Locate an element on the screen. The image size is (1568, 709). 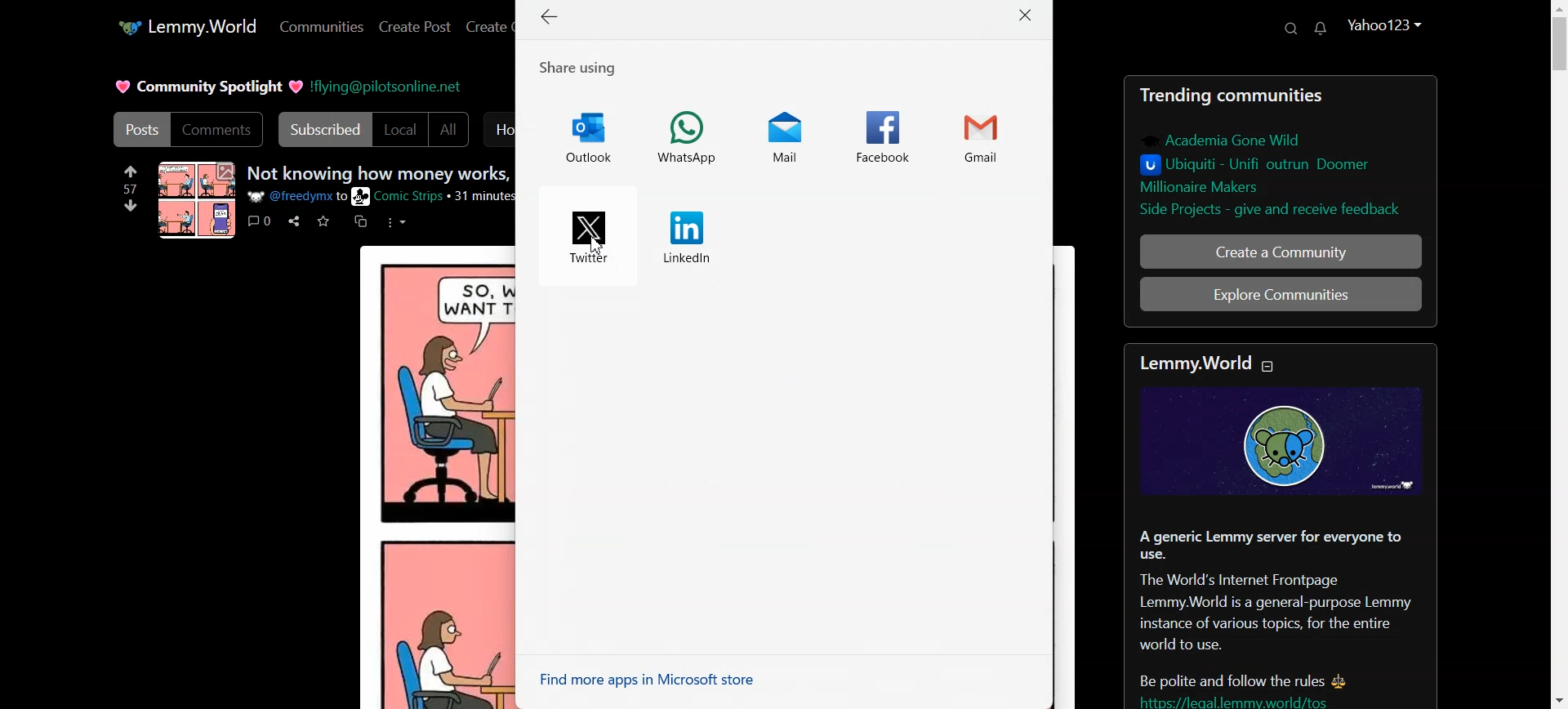
Share is located at coordinates (293, 221).